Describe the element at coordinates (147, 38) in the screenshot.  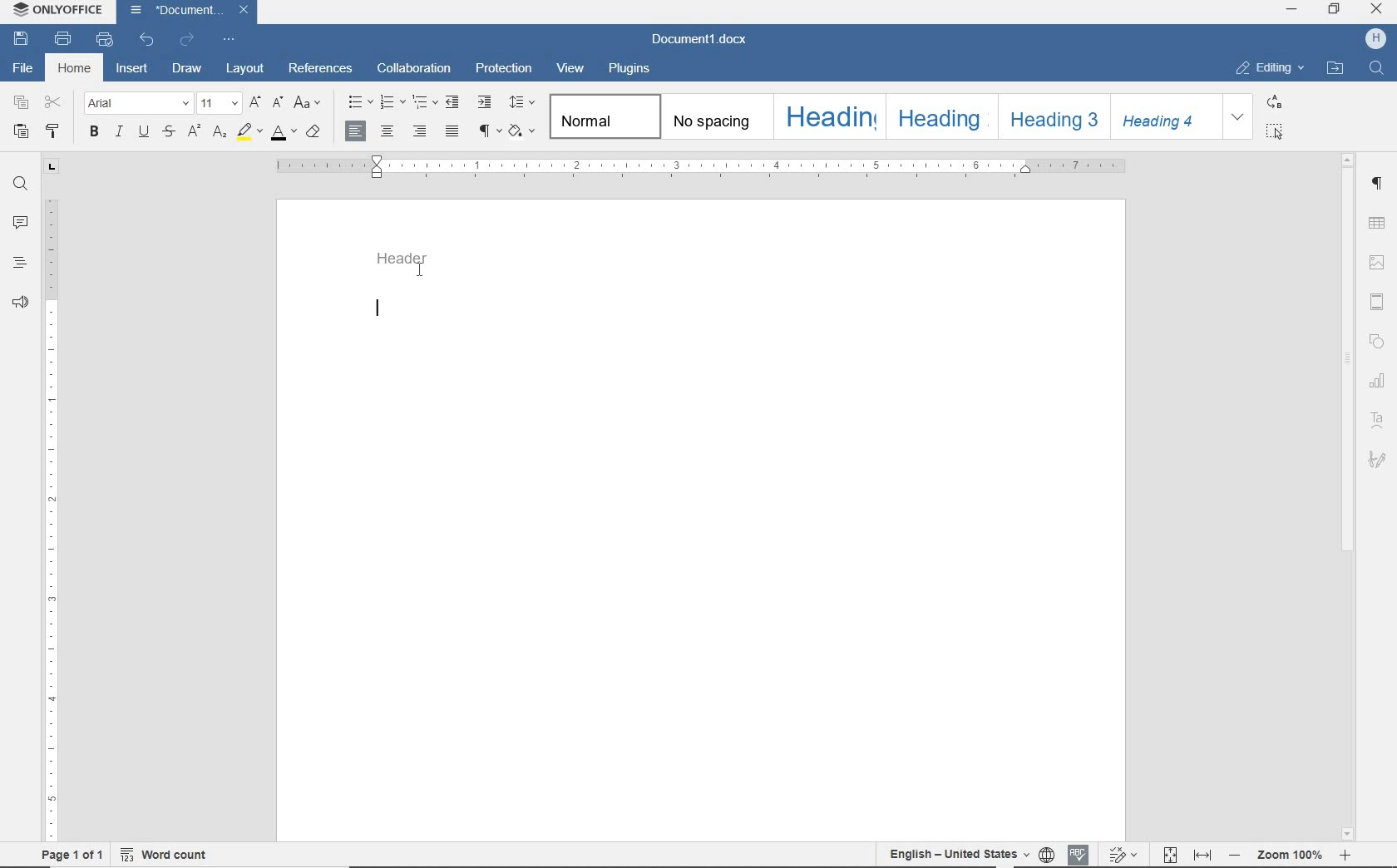
I see `unload` at that location.